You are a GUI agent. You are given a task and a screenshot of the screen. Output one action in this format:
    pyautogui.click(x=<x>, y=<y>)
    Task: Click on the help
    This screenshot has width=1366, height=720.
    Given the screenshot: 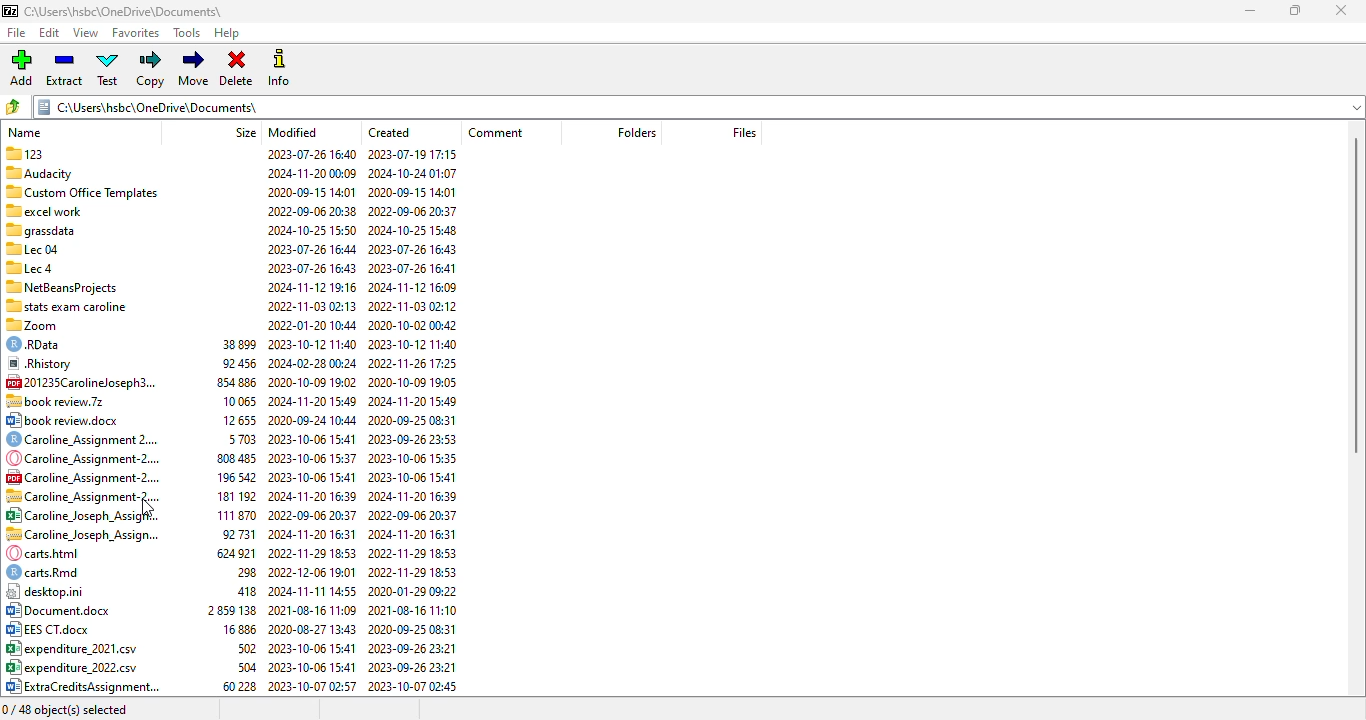 What is the action you would take?
    pyautogui.click(x=226, y=33)
    